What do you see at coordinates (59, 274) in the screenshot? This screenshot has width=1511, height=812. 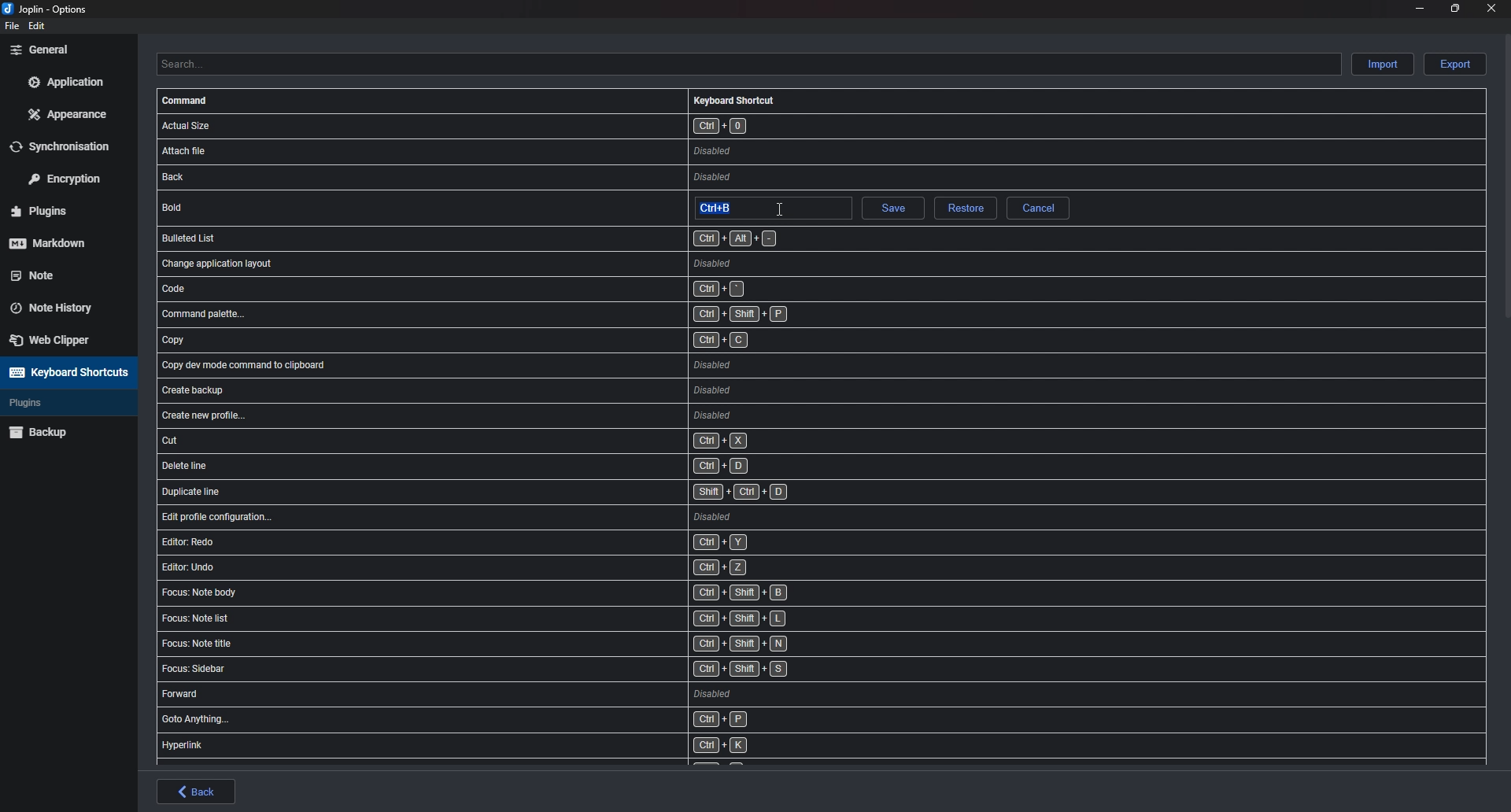 I see `note` at bounding box center [59, 274].